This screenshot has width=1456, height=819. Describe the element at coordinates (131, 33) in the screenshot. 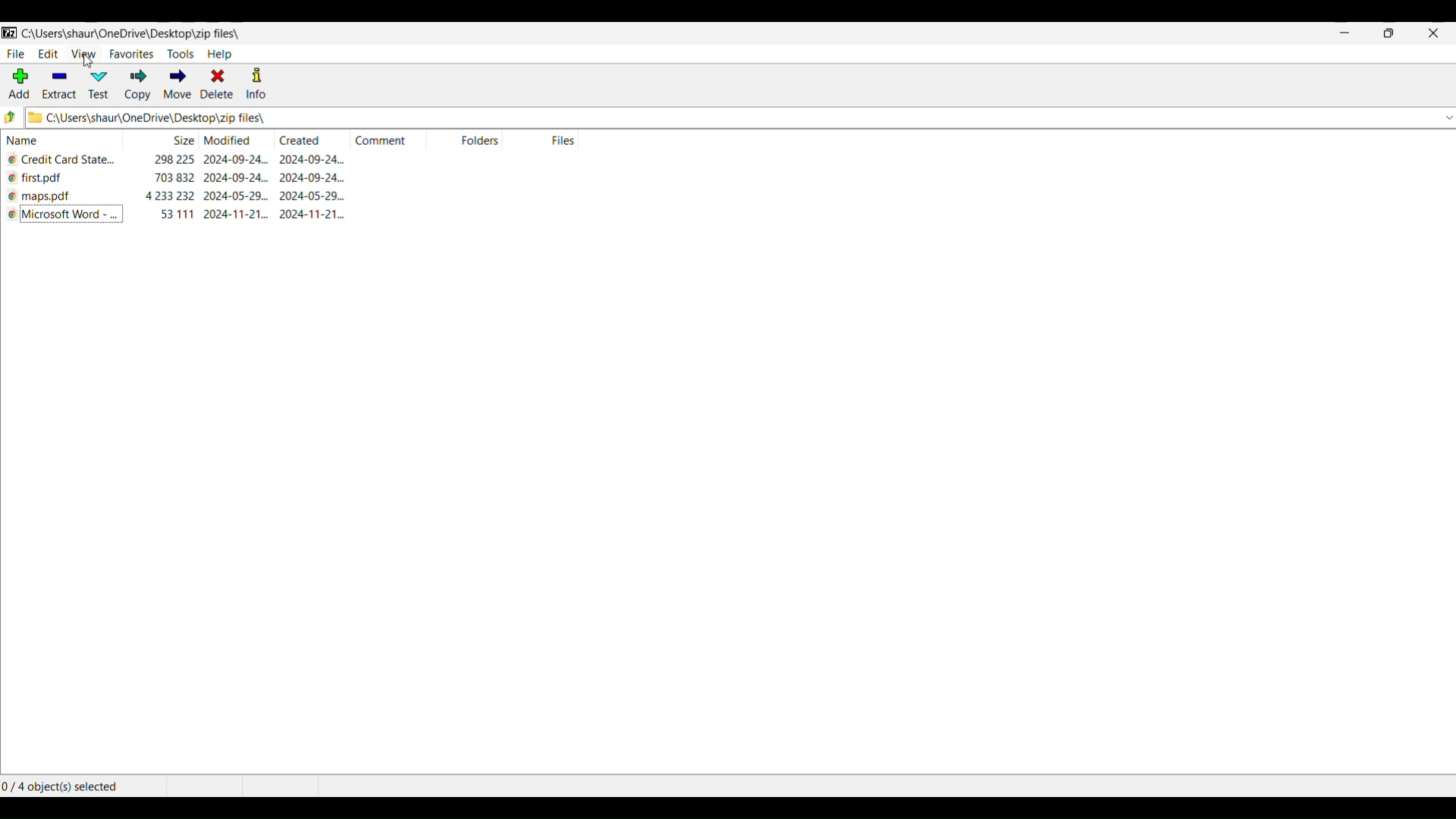

I see `folder path` at that location.